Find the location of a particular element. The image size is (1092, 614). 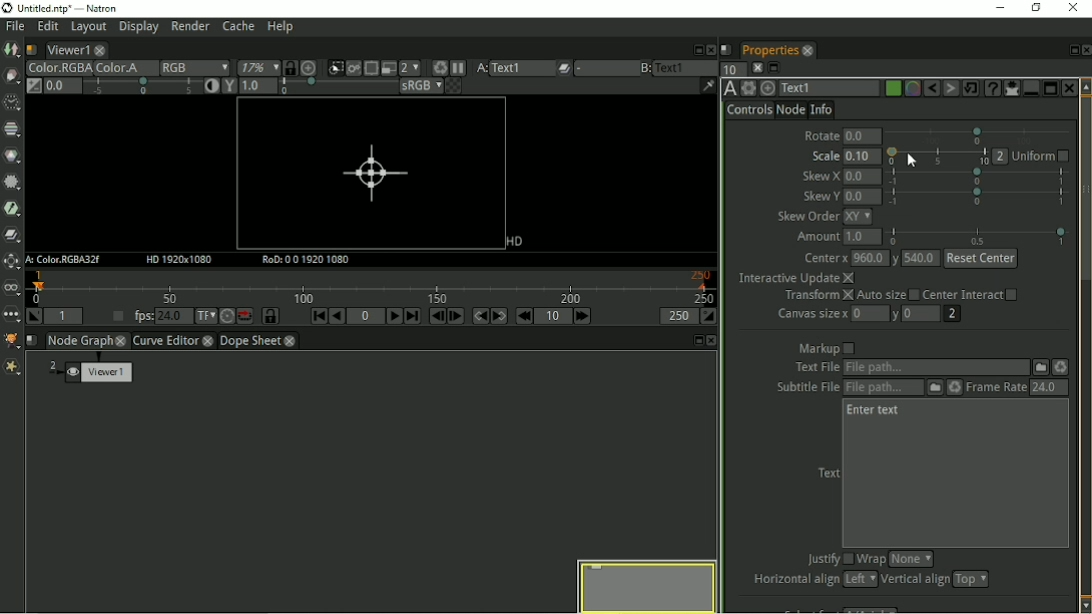

Other is located at coordinates (11, 315).